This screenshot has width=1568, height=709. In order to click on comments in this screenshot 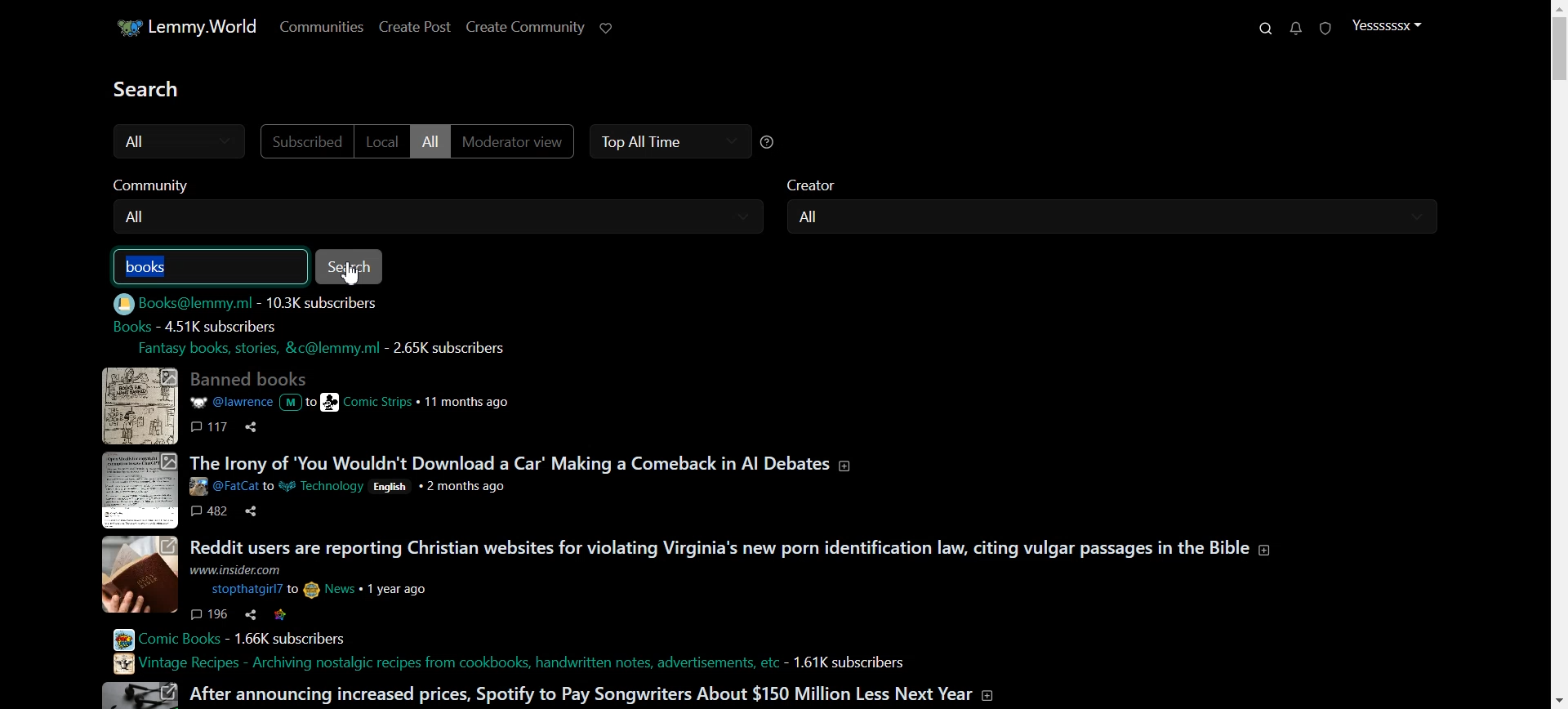, I will do `click(213, 427)`.